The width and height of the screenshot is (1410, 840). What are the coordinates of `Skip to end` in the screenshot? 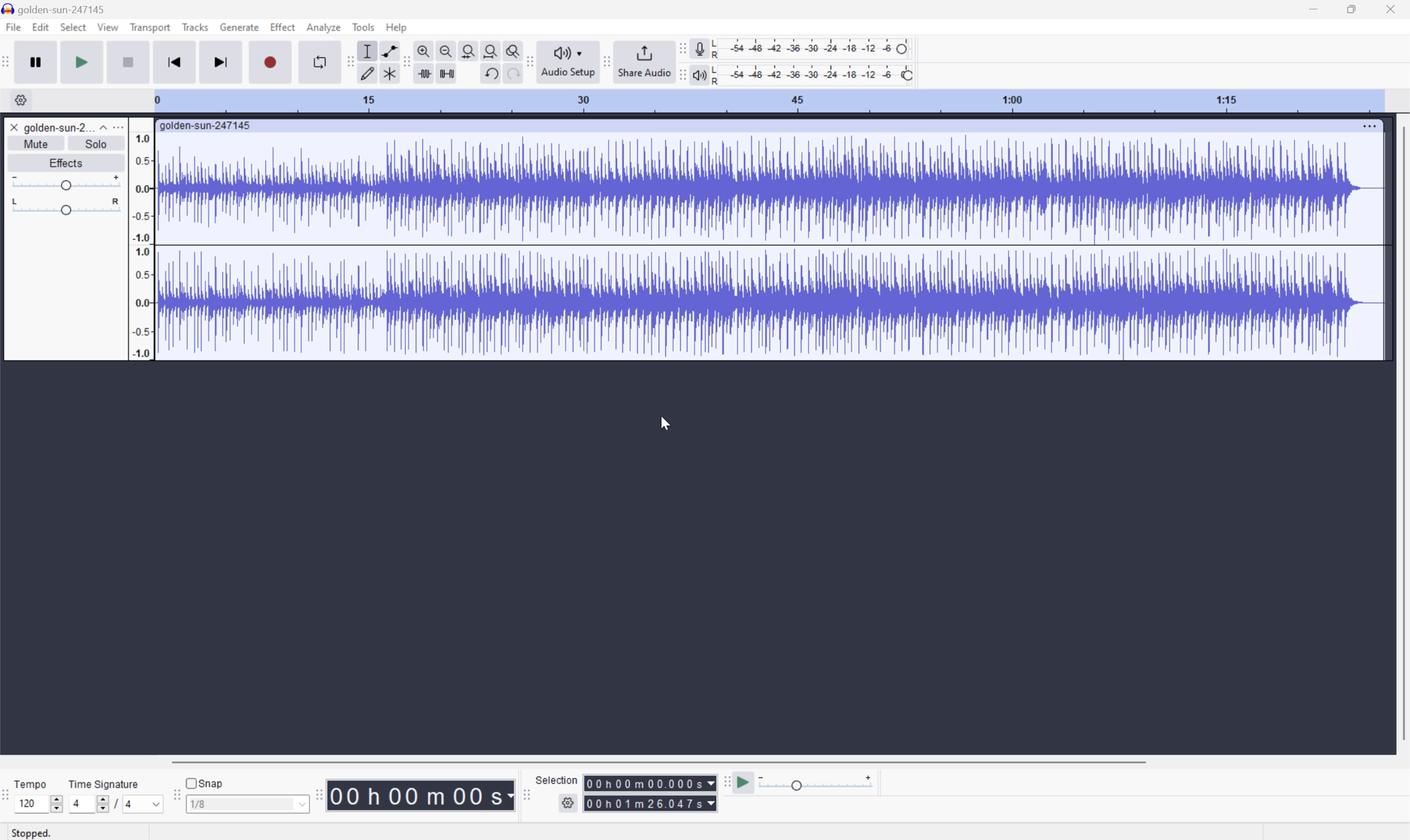 It's located at (220, 63).